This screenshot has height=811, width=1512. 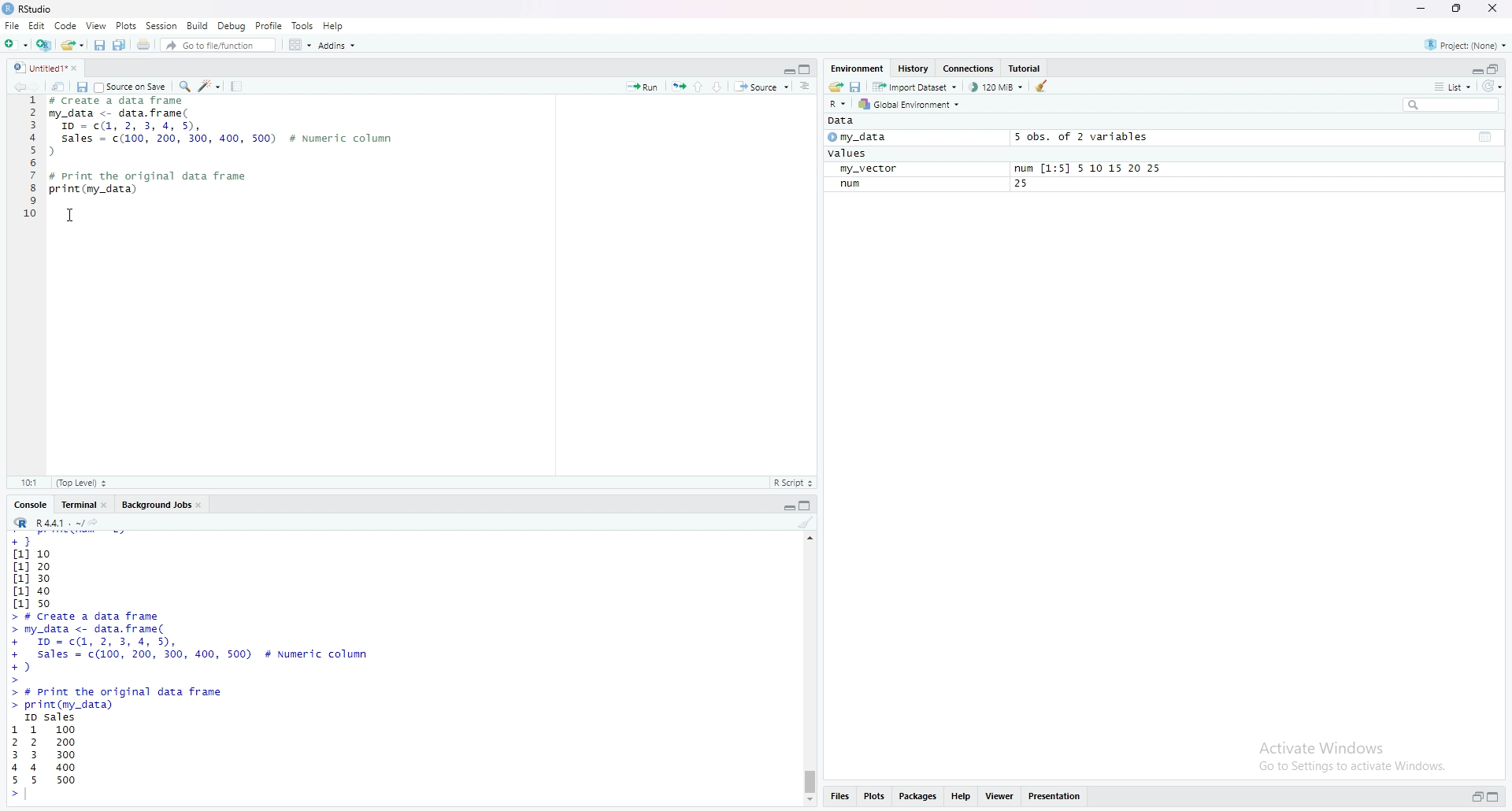 What do you see at coordinates (28, 161) in the screenshot?
I see `serial number` at bounding box center [28, 161].